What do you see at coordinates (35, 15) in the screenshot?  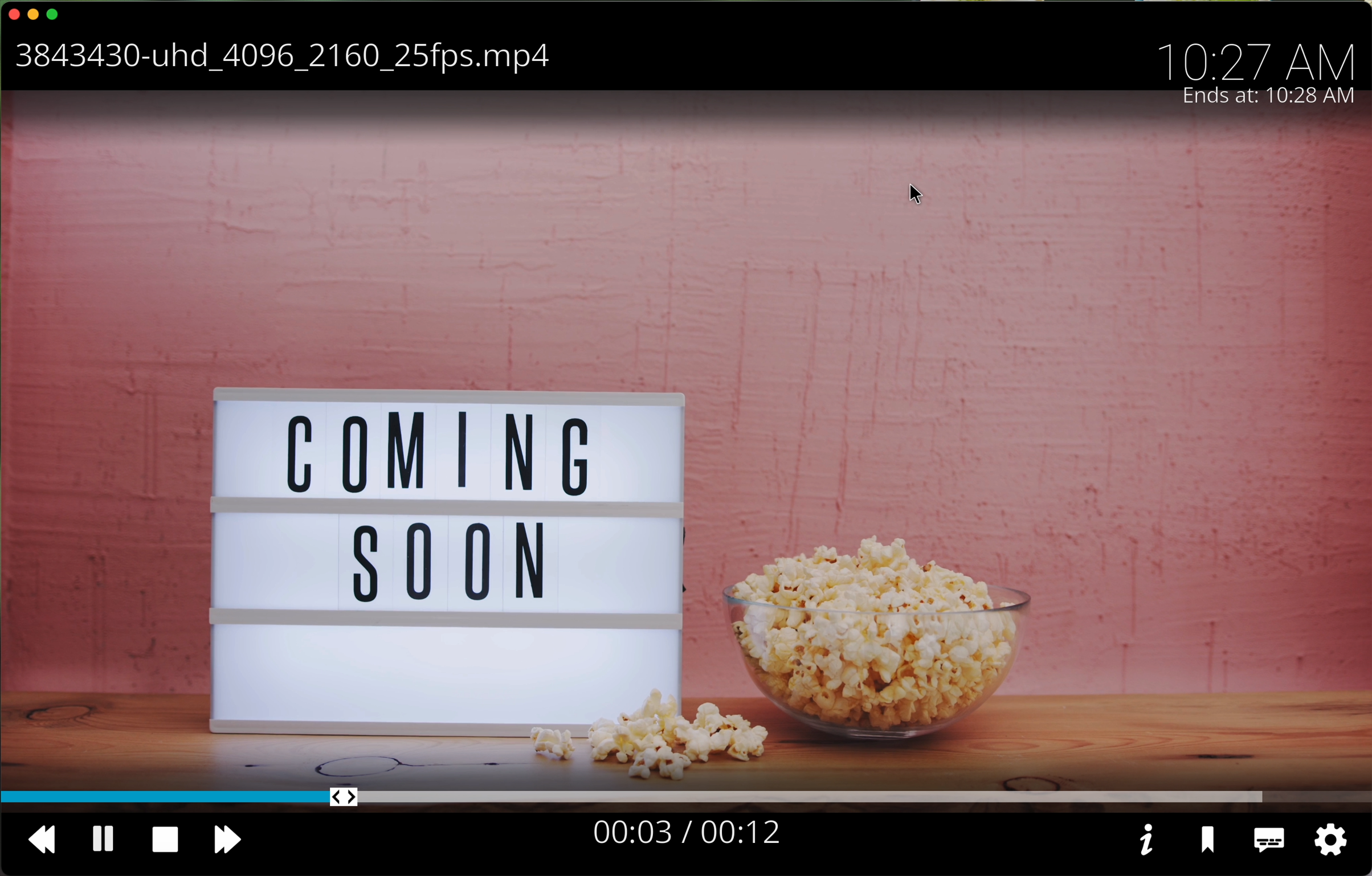 I see `minimise` at bounding box center [35, 15].